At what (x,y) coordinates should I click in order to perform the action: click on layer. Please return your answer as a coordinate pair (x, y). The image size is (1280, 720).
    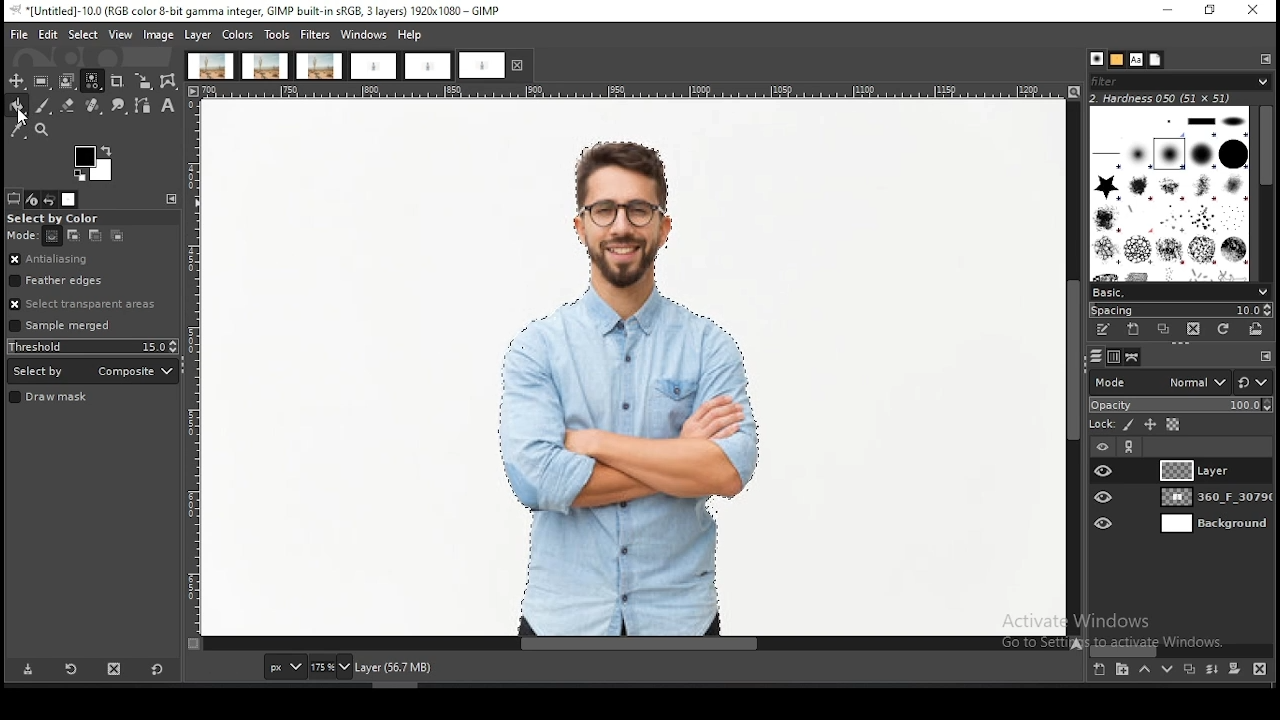
    Looking at the image, I should click on (198, 35).